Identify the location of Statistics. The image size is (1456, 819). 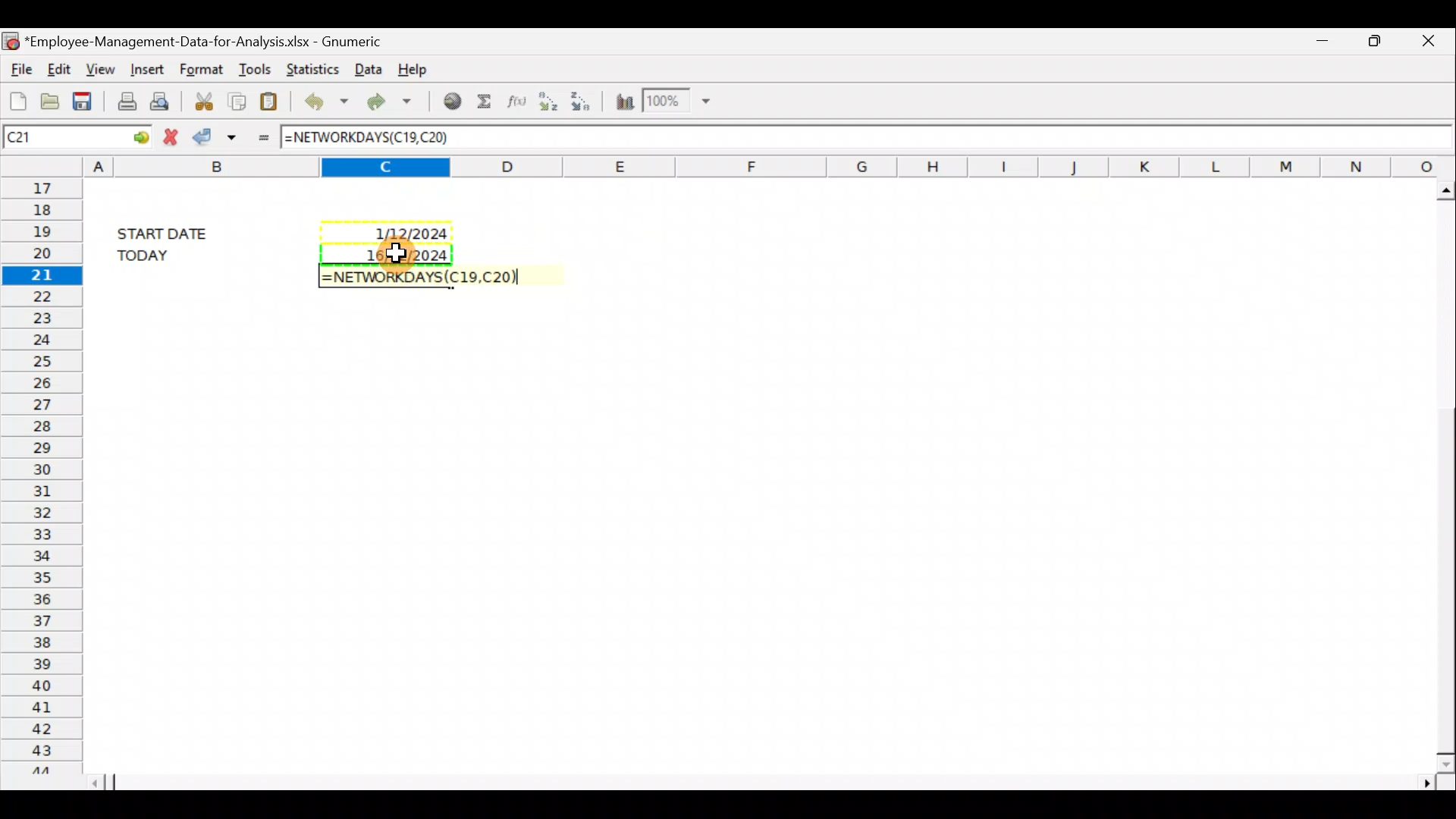
(309, 67).